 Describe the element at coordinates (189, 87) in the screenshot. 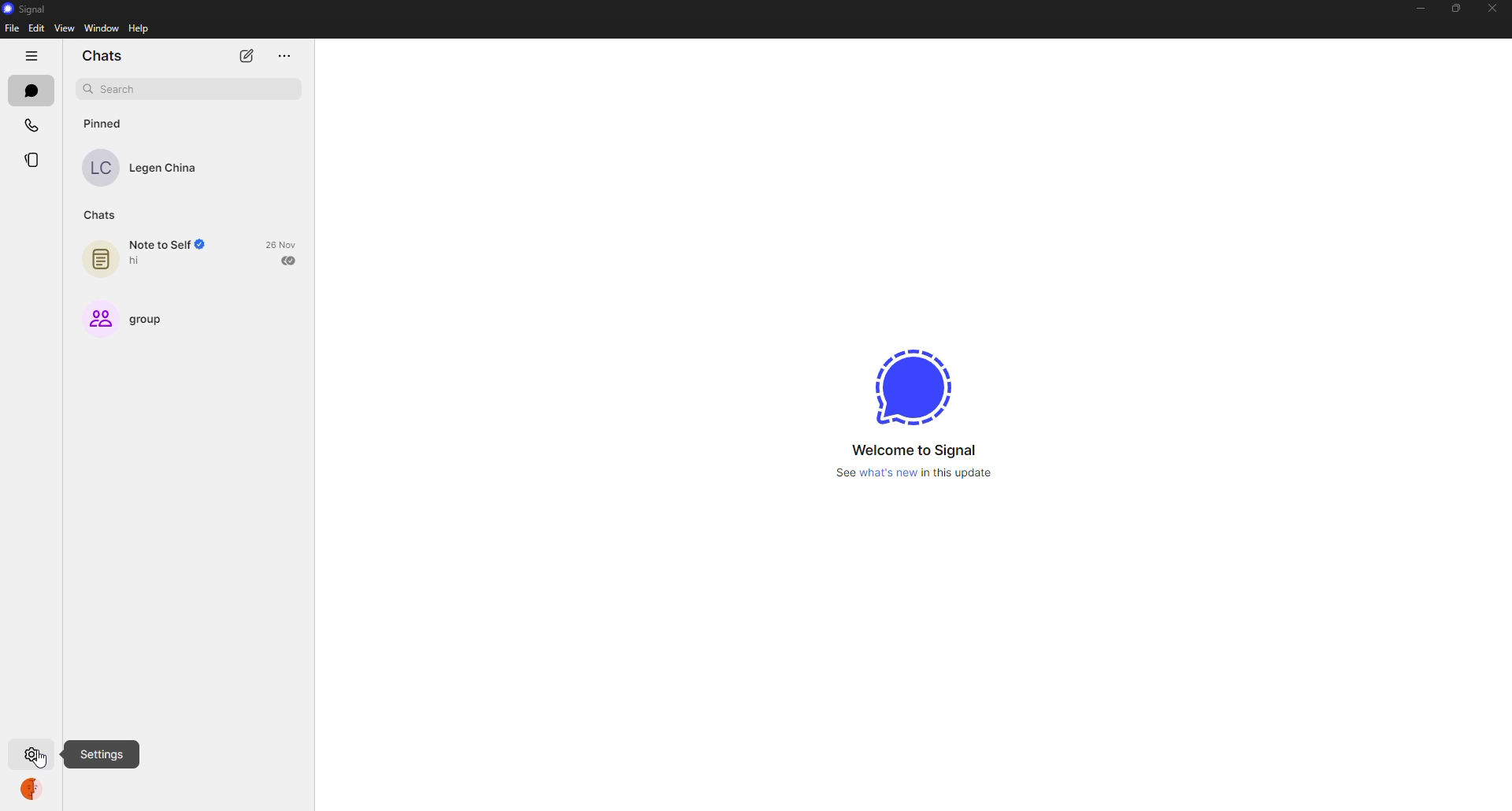

I see `search` at that location.